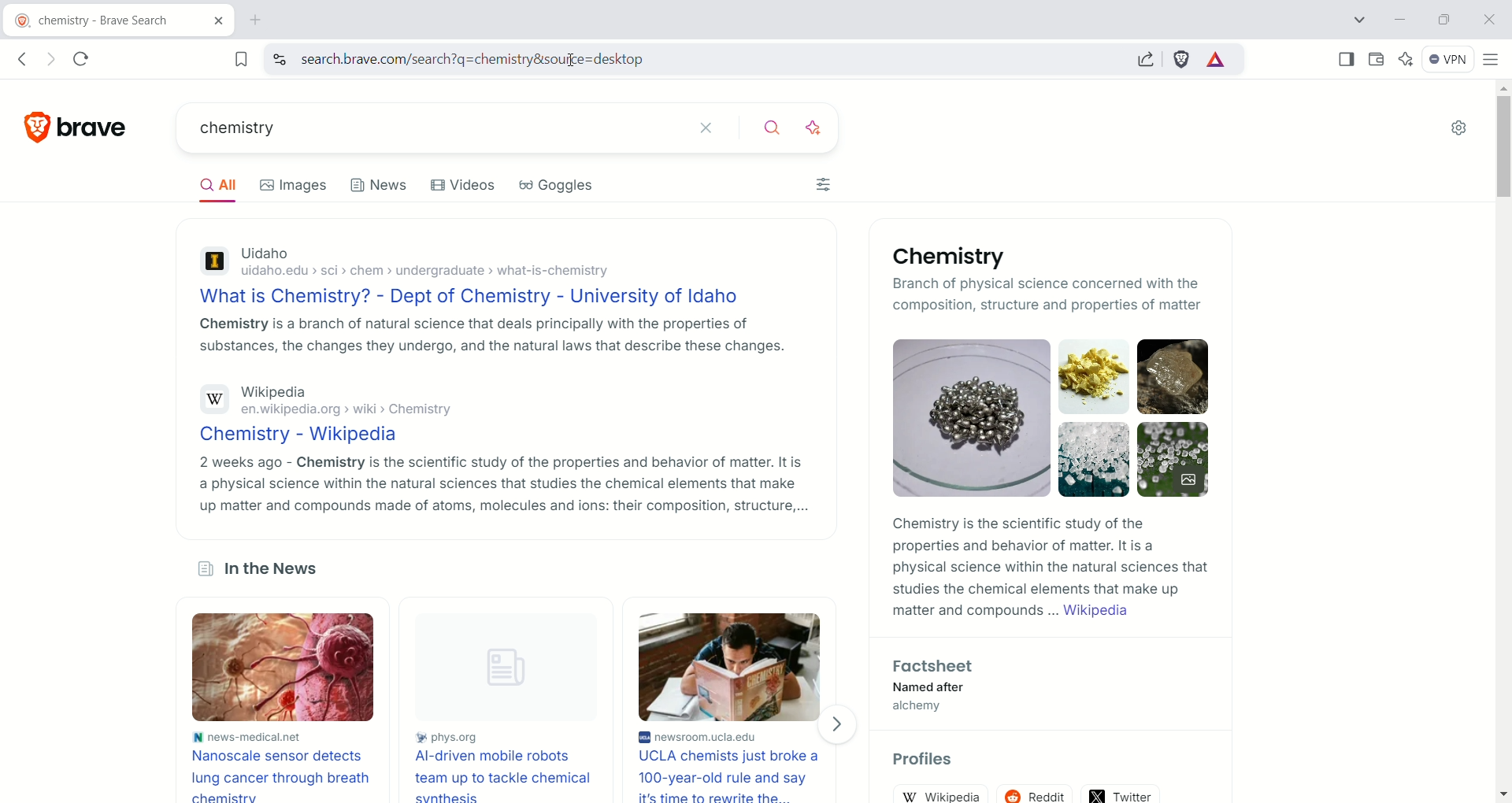 This screenshot has width=1512, height=803. I want to click on Chemistry is a branch of natural science that deals principally with the properties of substances, the changes they undergo, and the natural laws that describe these changes., so click(488, 334).